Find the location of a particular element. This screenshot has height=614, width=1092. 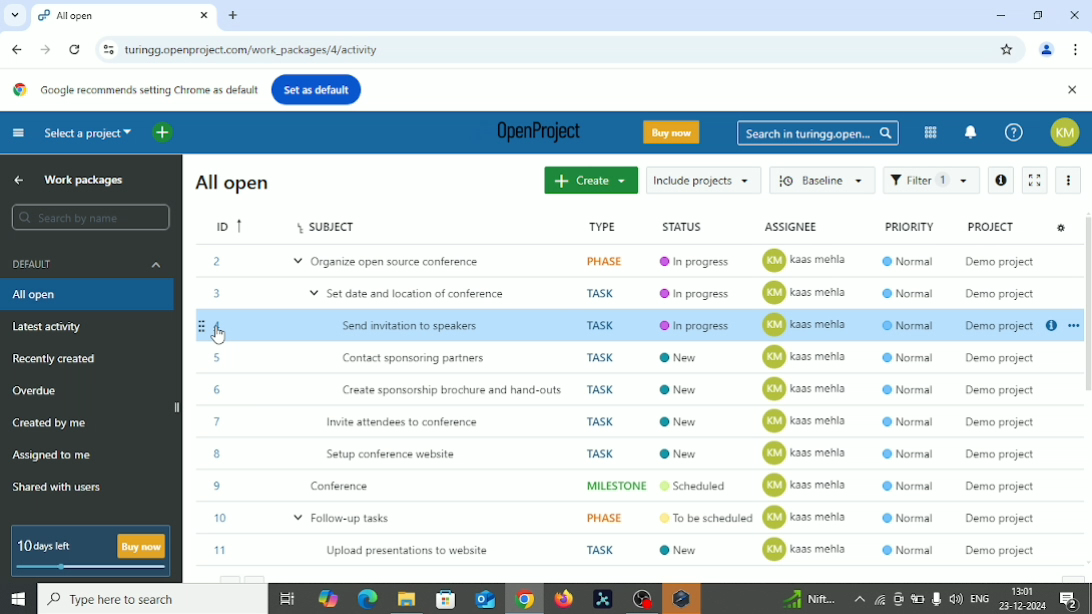

Wifi is located at coordinates (877, 599).